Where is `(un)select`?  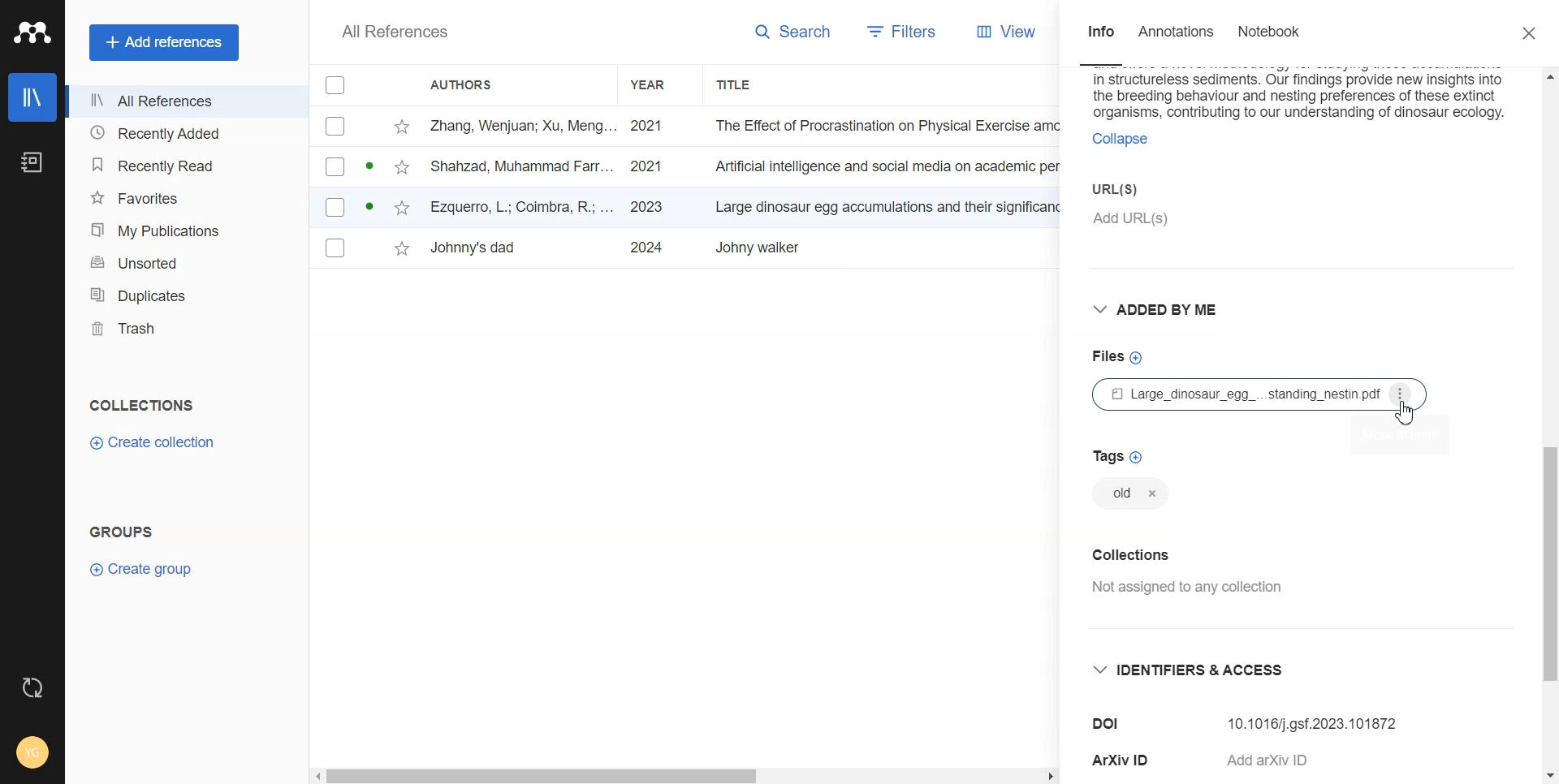 (un)select is located at coordinates (335, 248).